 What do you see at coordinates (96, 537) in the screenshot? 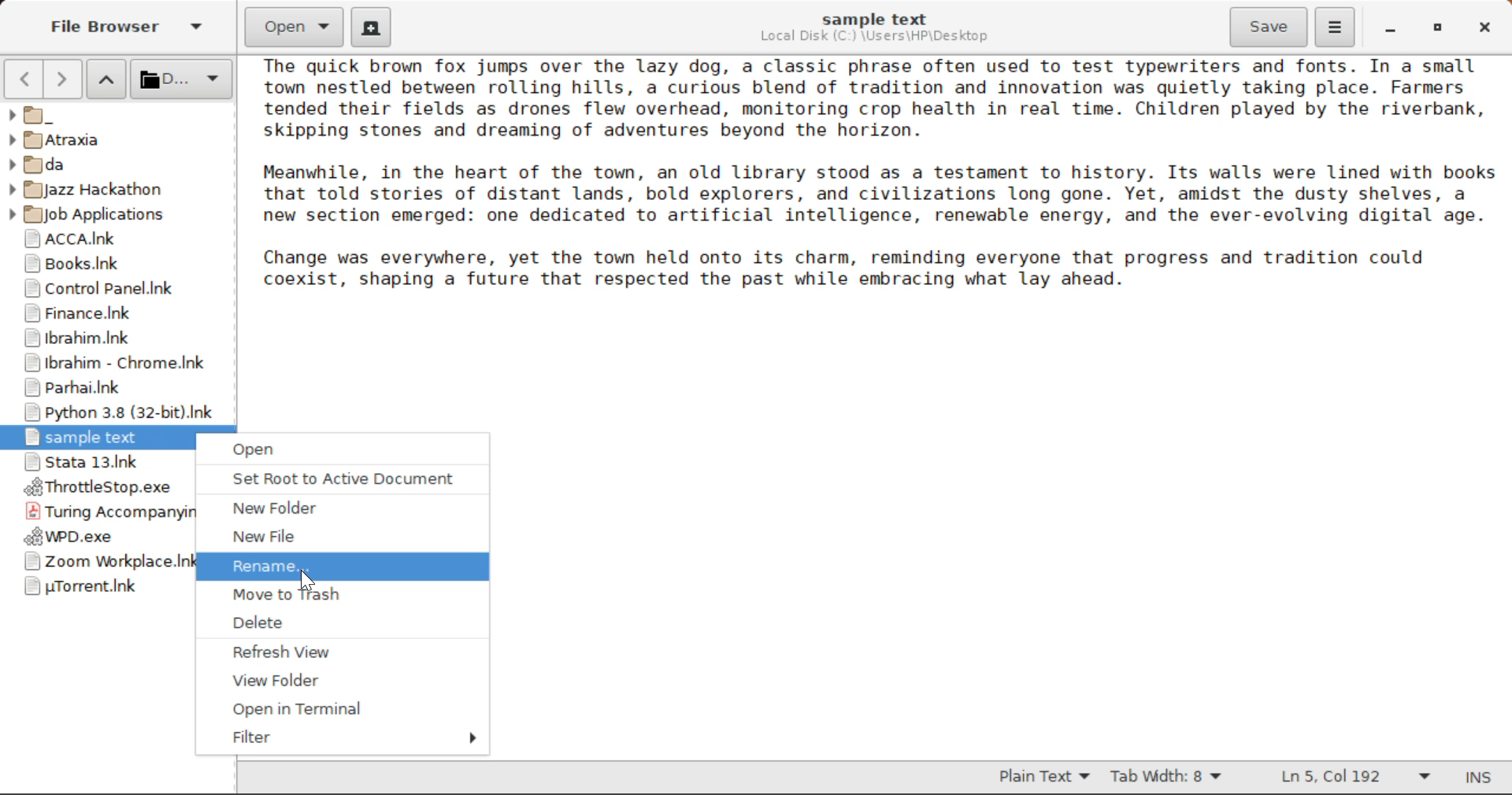
I see `WPD Application` at bounding box center [96, 537].